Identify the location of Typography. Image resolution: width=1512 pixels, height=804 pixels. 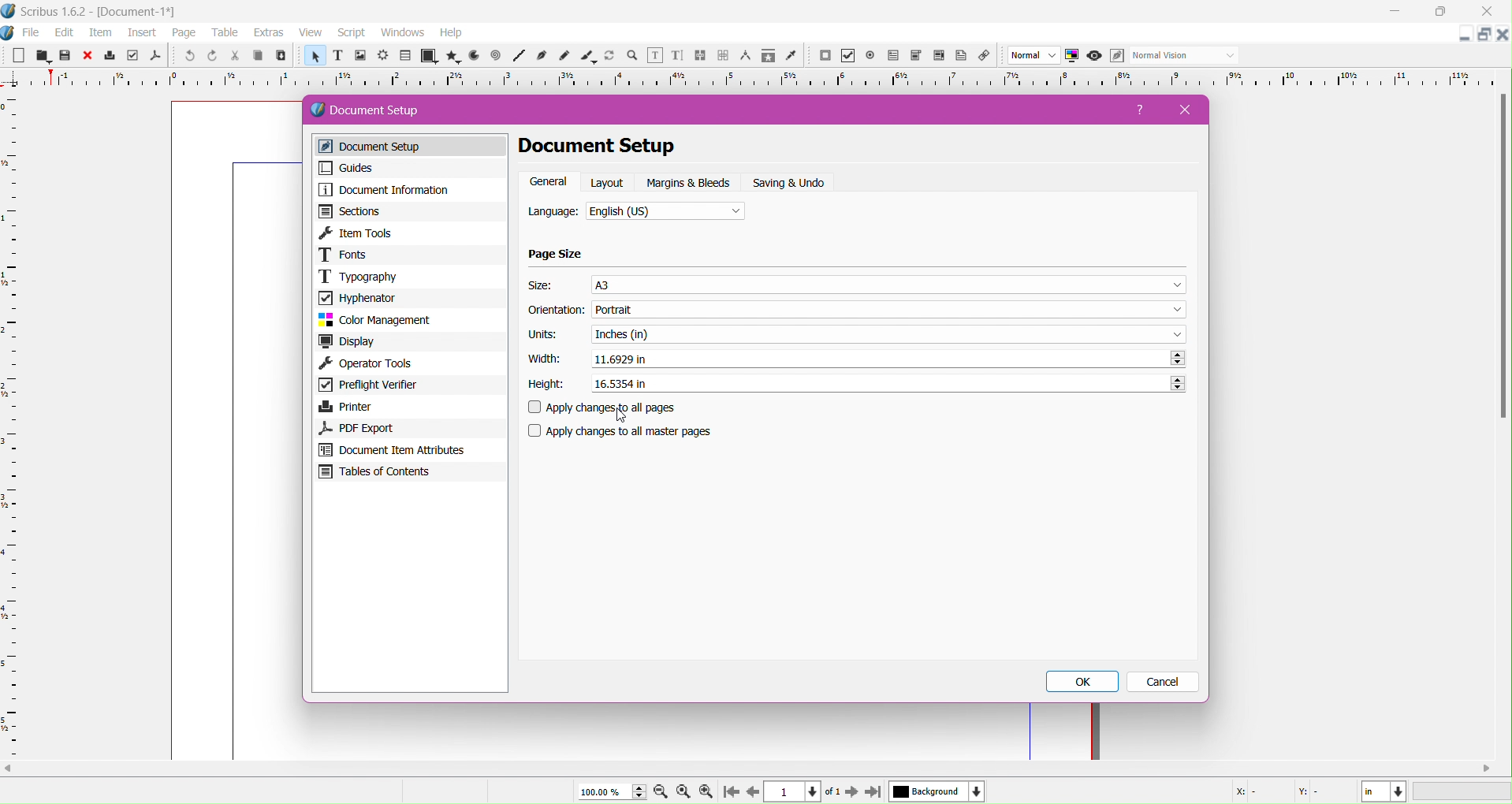
(411, 276).